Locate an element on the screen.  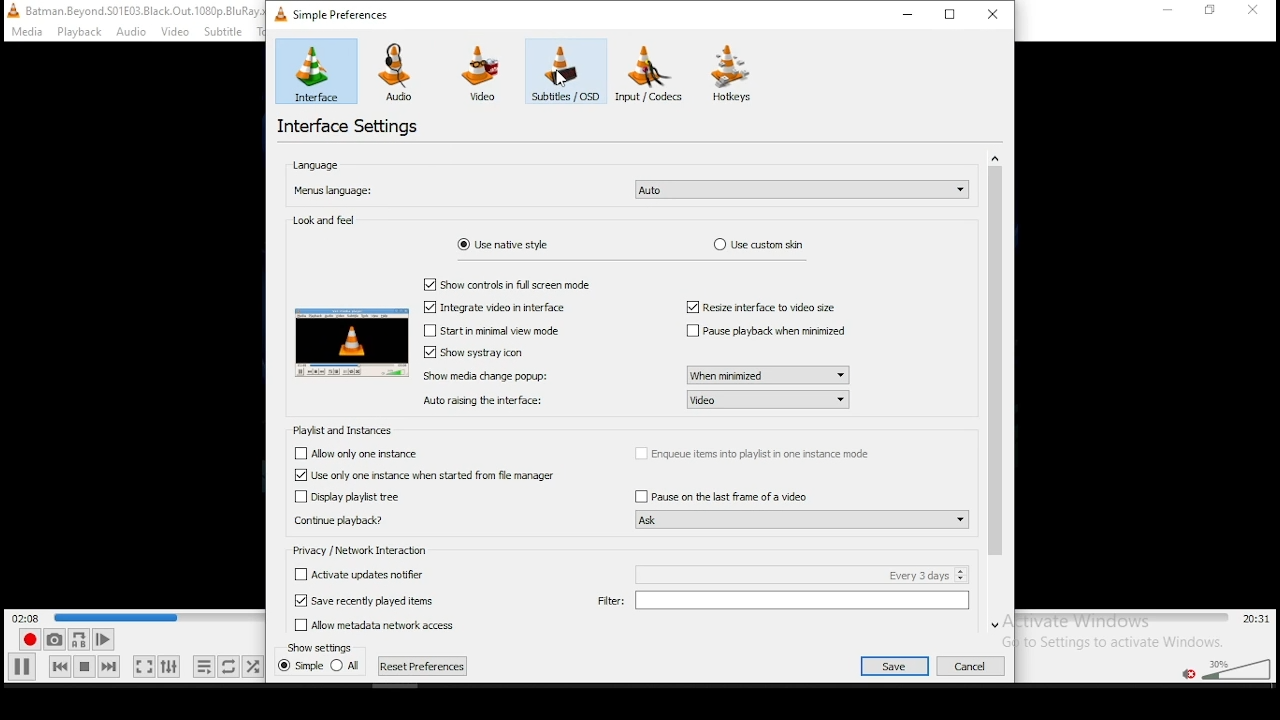
interface is located at coordinates (316, 71).